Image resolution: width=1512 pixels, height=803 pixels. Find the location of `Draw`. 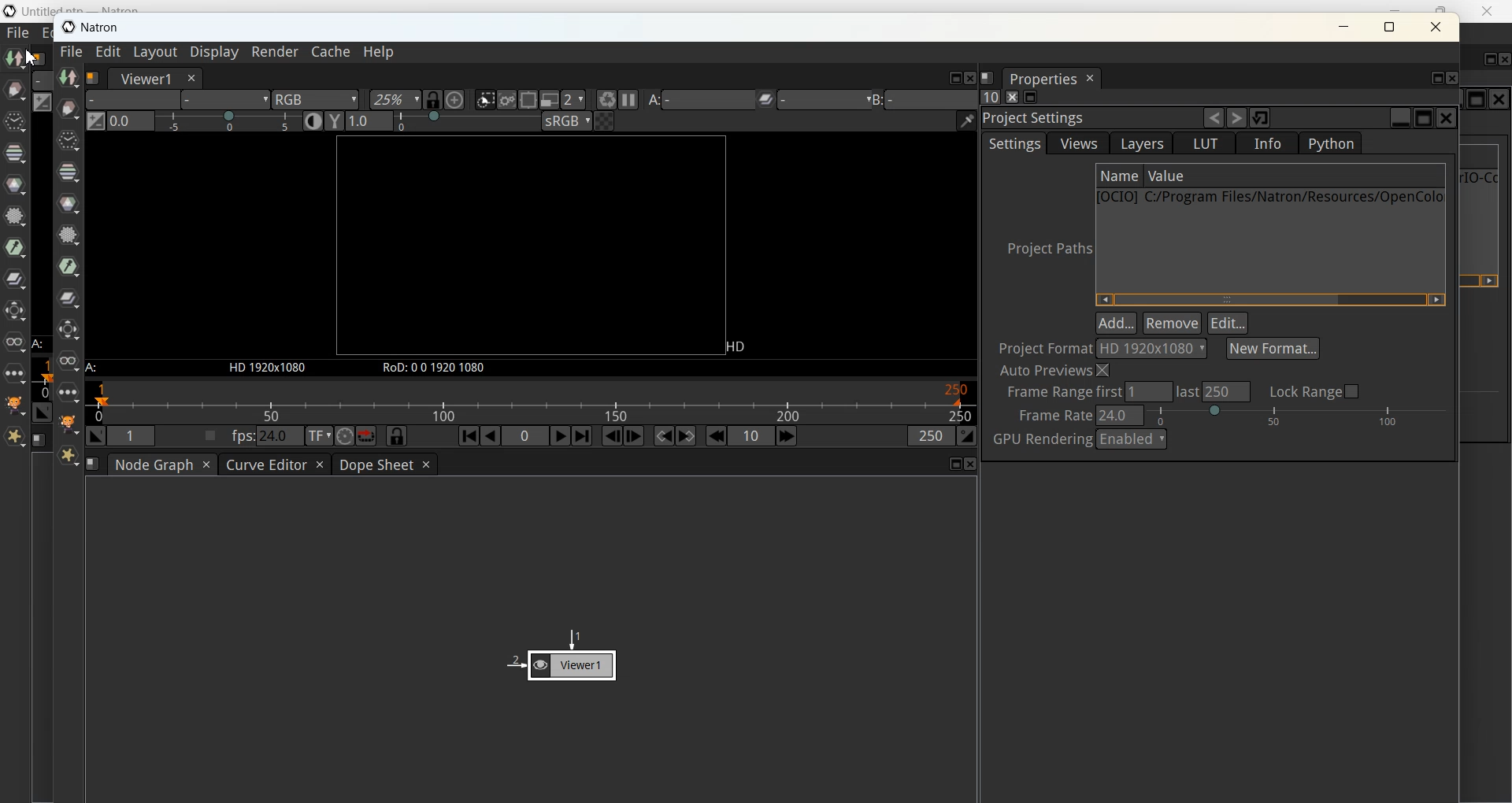

Draw is located at coordinates (15, 90).